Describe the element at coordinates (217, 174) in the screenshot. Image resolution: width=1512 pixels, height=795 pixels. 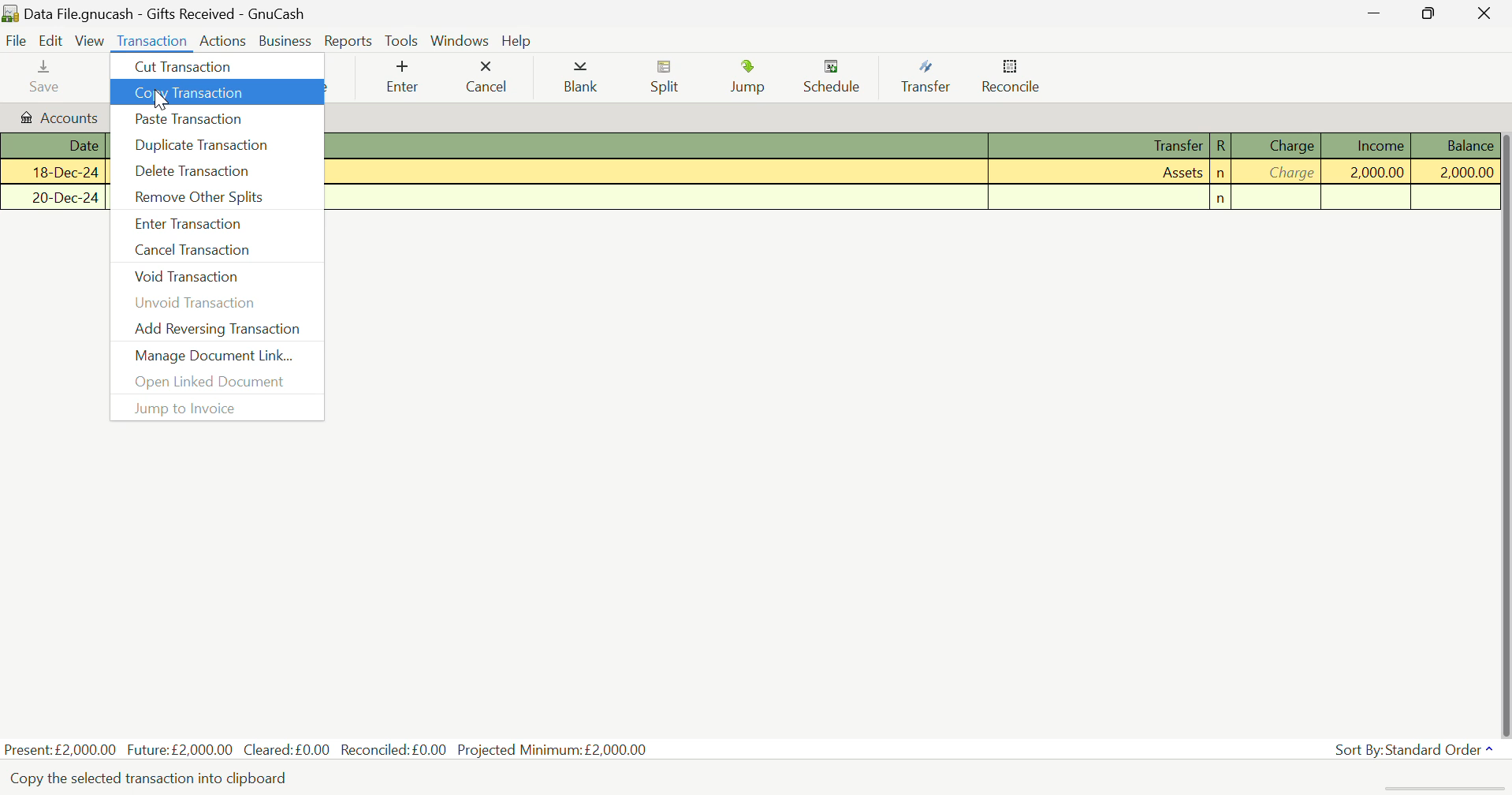
I see `Delete Transaction` at that location.